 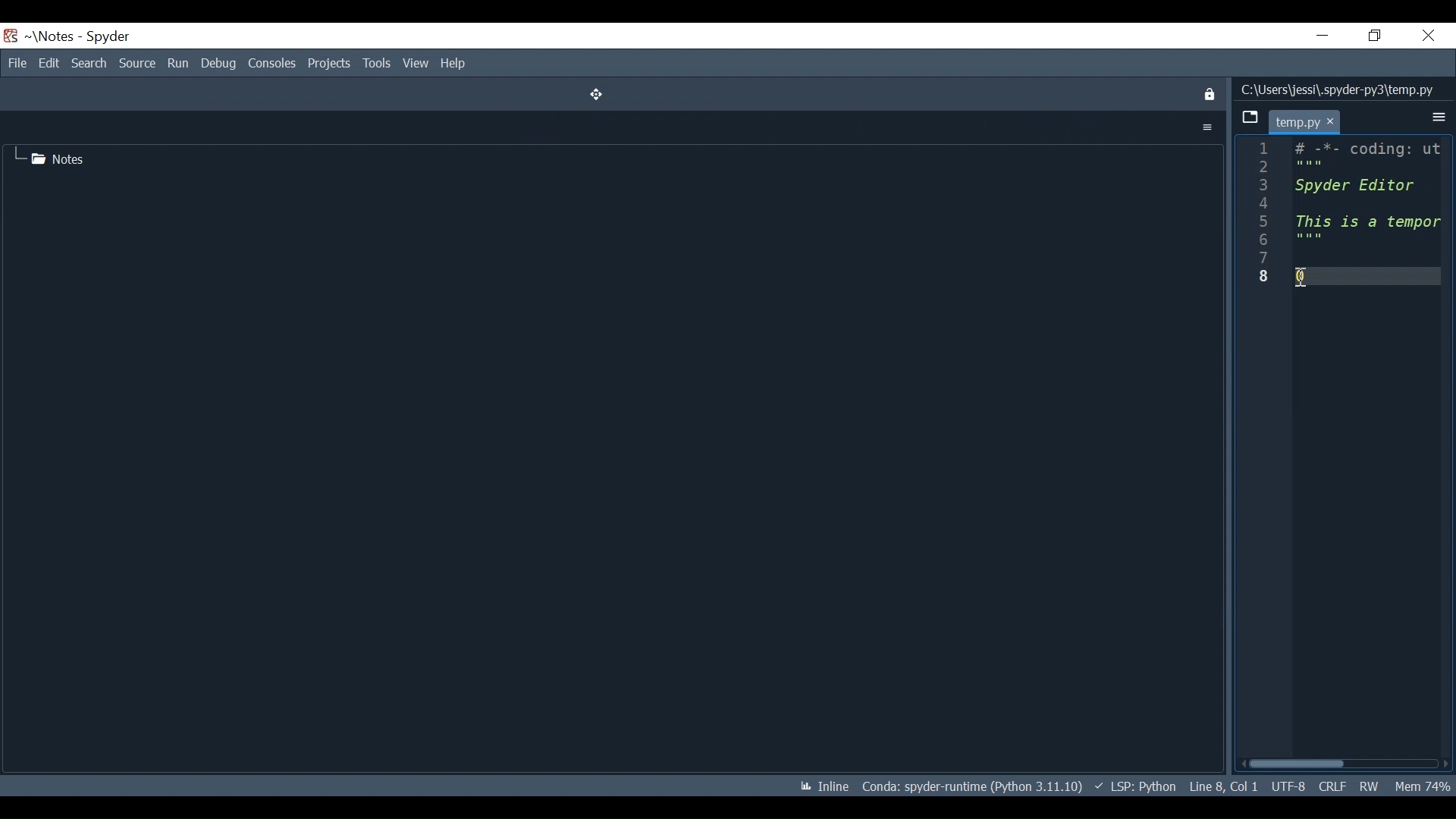 What do you see at coordinates (330, 64) in the screenshot?
I see `Projects` at bounding box center [330, 64].